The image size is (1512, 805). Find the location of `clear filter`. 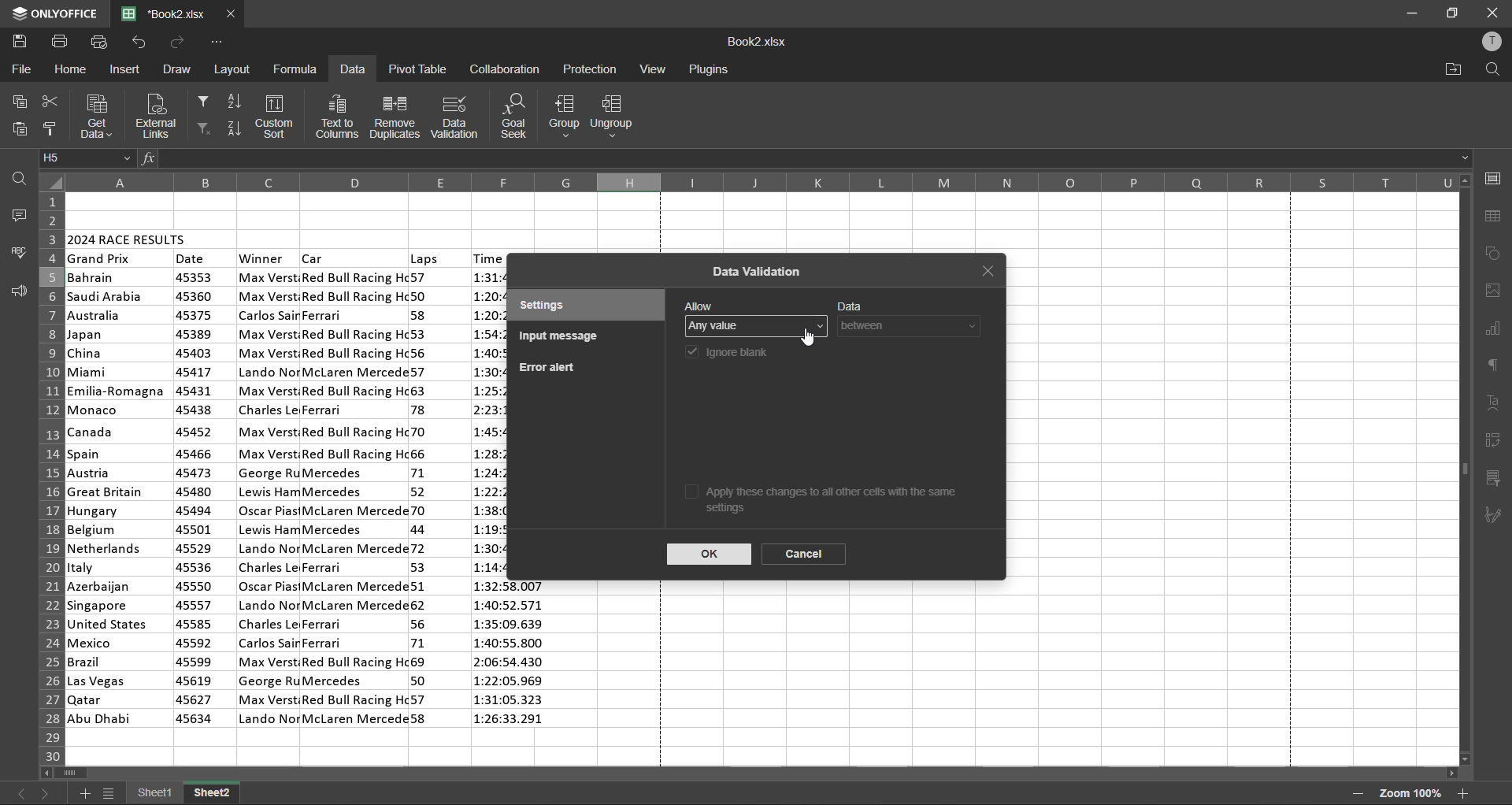

clear filter is located at coordinates (203, 129).